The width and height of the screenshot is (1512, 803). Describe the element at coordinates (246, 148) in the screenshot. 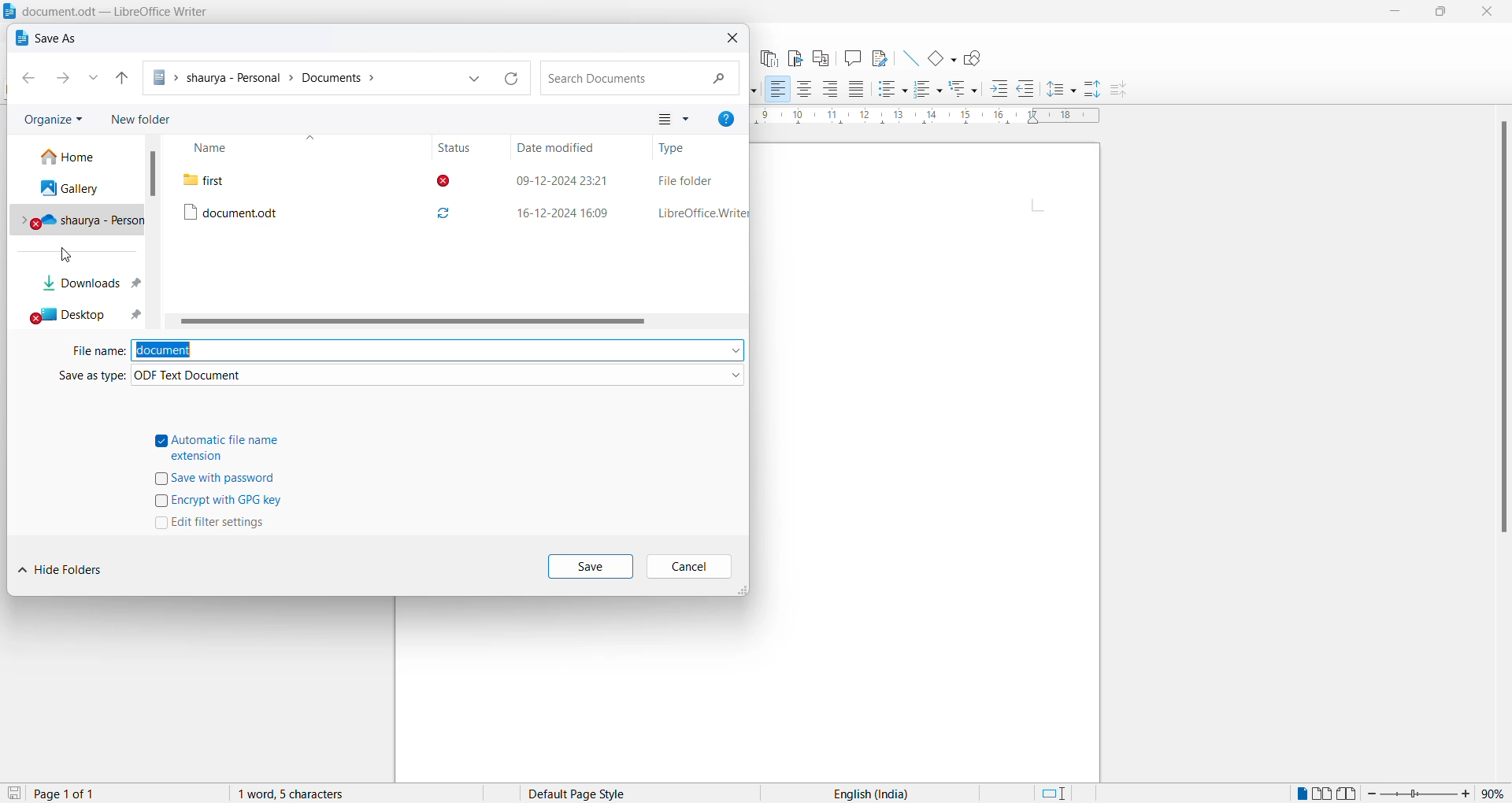

I see `Name heading` at that location.